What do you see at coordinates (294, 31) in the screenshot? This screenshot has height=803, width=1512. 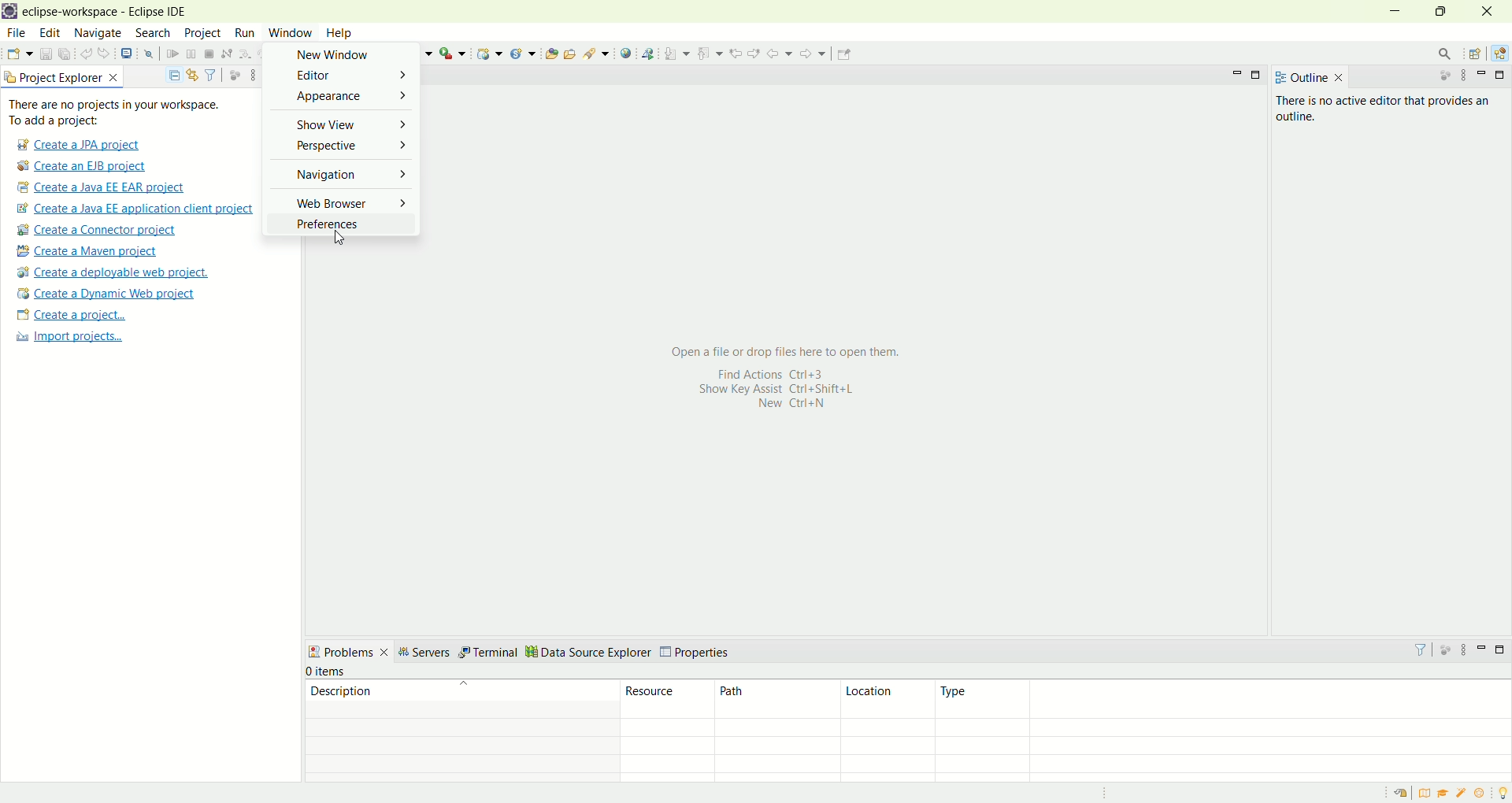 I see `window` at bounding box center [294, 31].